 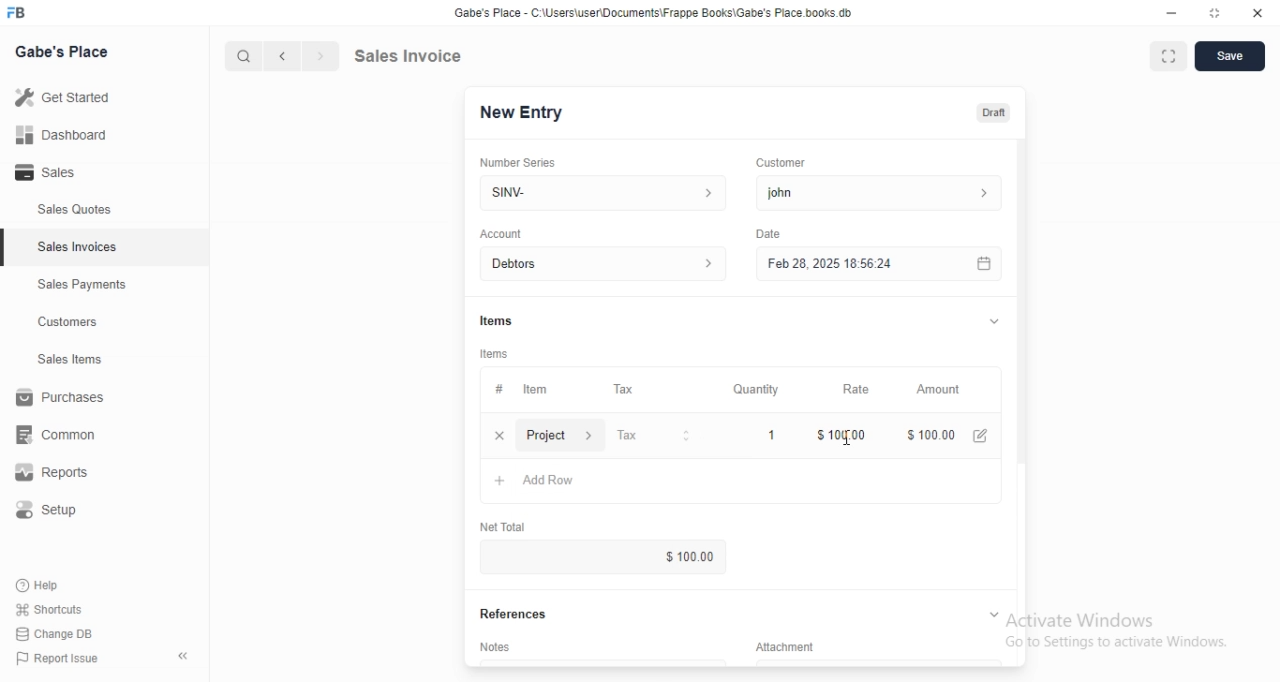 What do you see at coordinates (602, 191) in the screenshot?
I see `SINV-` at bounding box center [602, 191].